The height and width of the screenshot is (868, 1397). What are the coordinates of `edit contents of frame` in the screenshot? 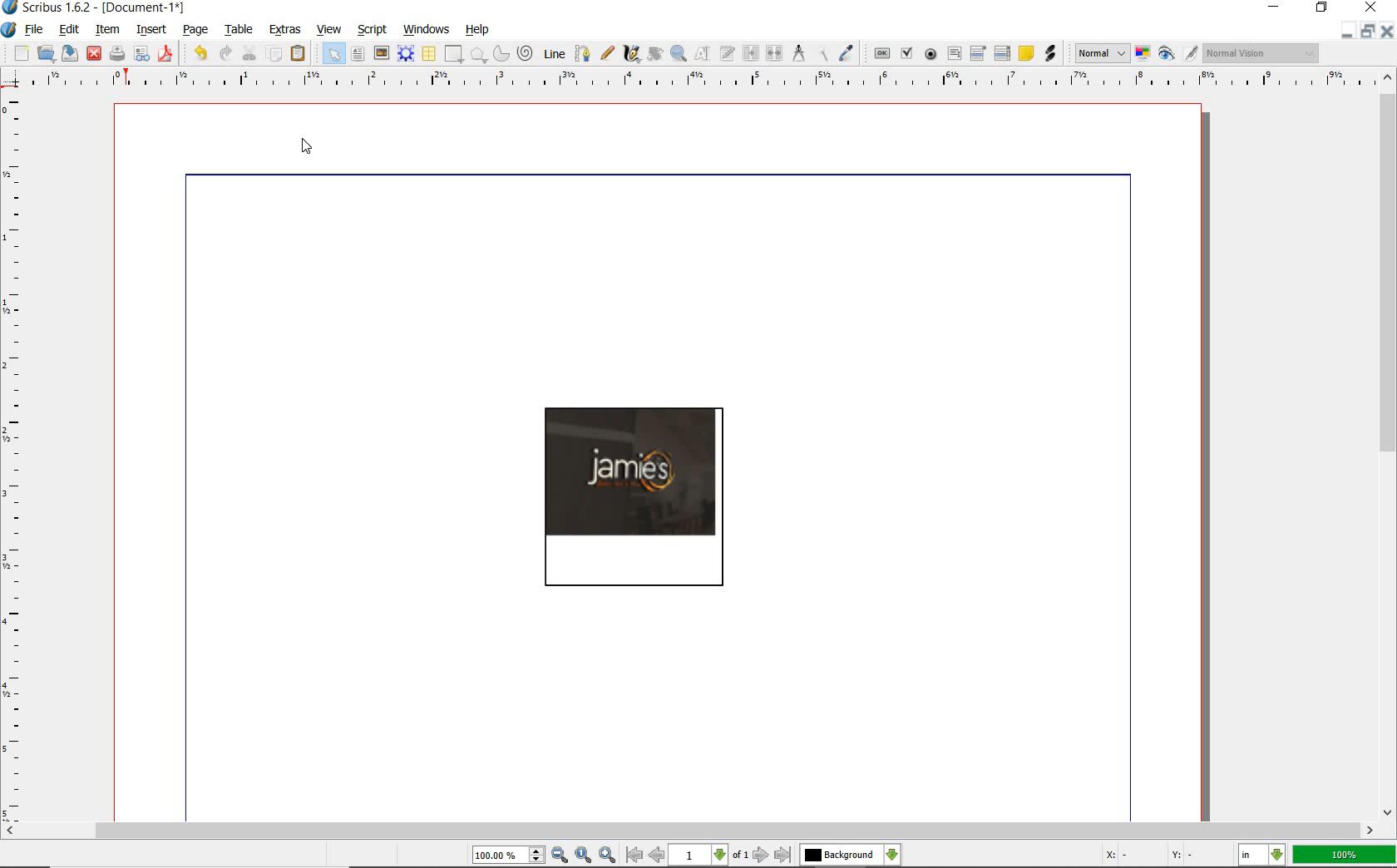 It's located at (704, 53).